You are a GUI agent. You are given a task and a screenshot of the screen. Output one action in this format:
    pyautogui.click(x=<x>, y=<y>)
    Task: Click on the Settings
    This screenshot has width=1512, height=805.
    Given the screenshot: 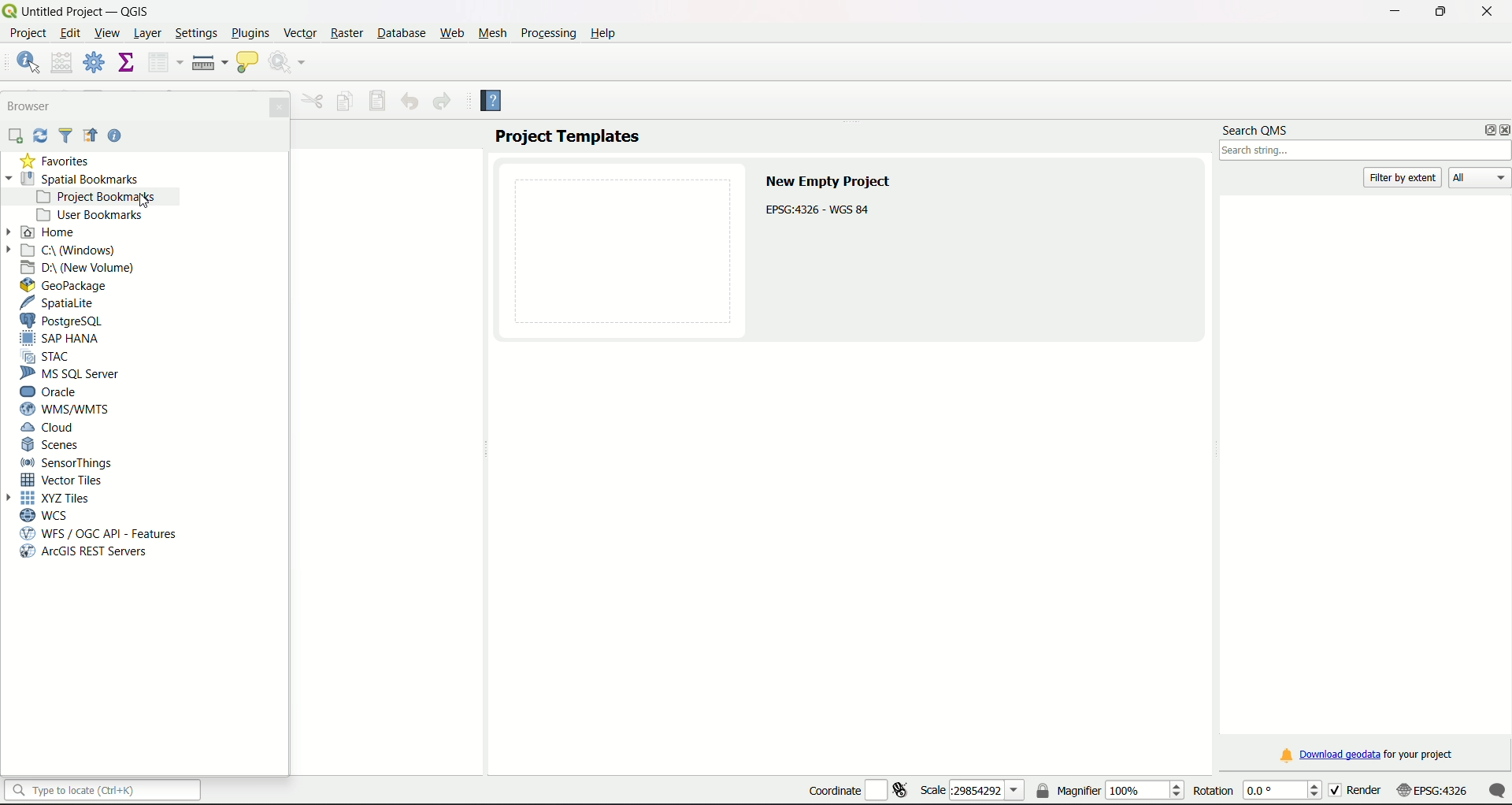 What is the action you would take?
    pyautogui.click(x=197, y=35)
    